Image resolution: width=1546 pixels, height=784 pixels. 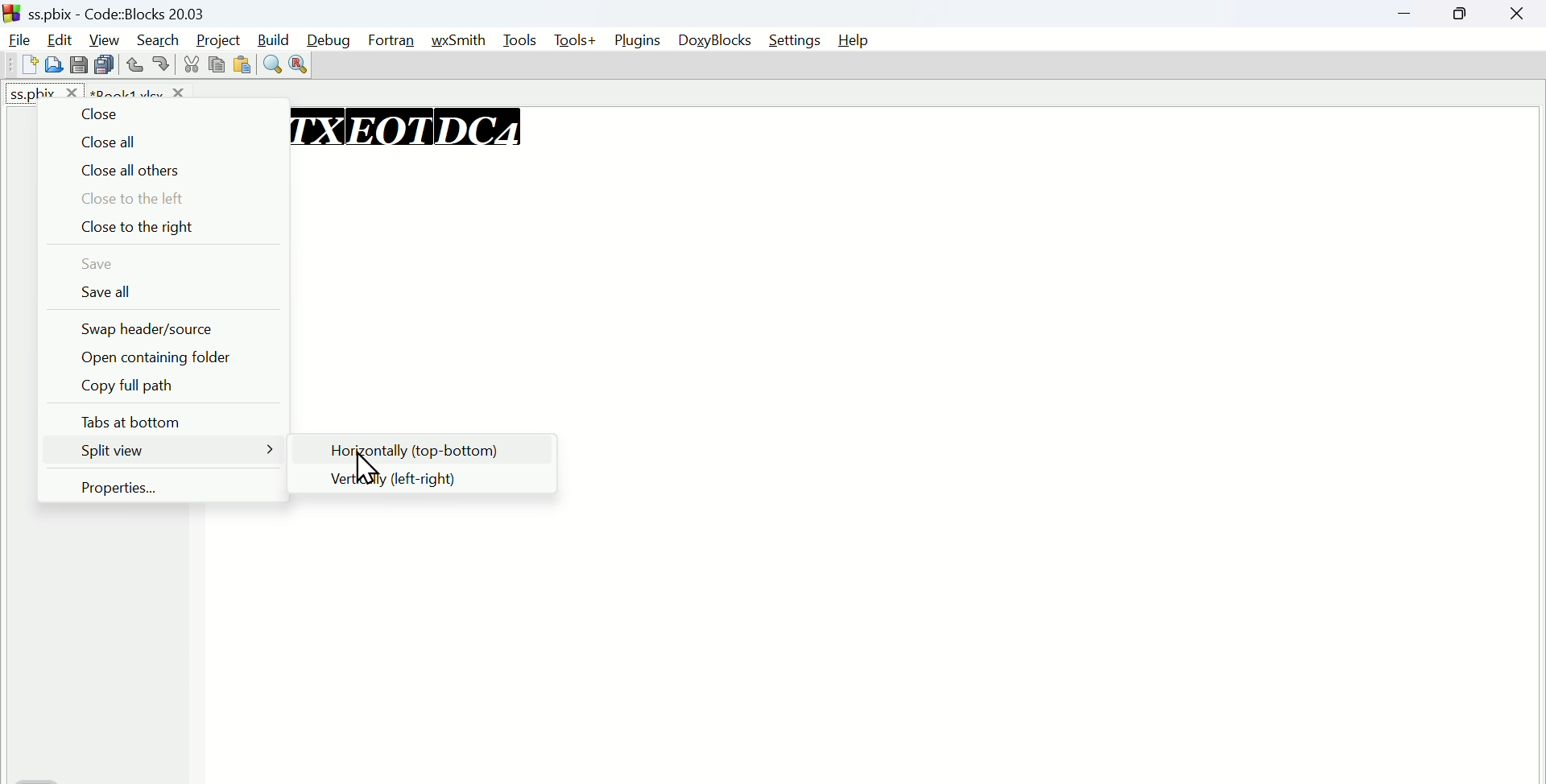 I want to click on Copy, so click(x=213, y=66).